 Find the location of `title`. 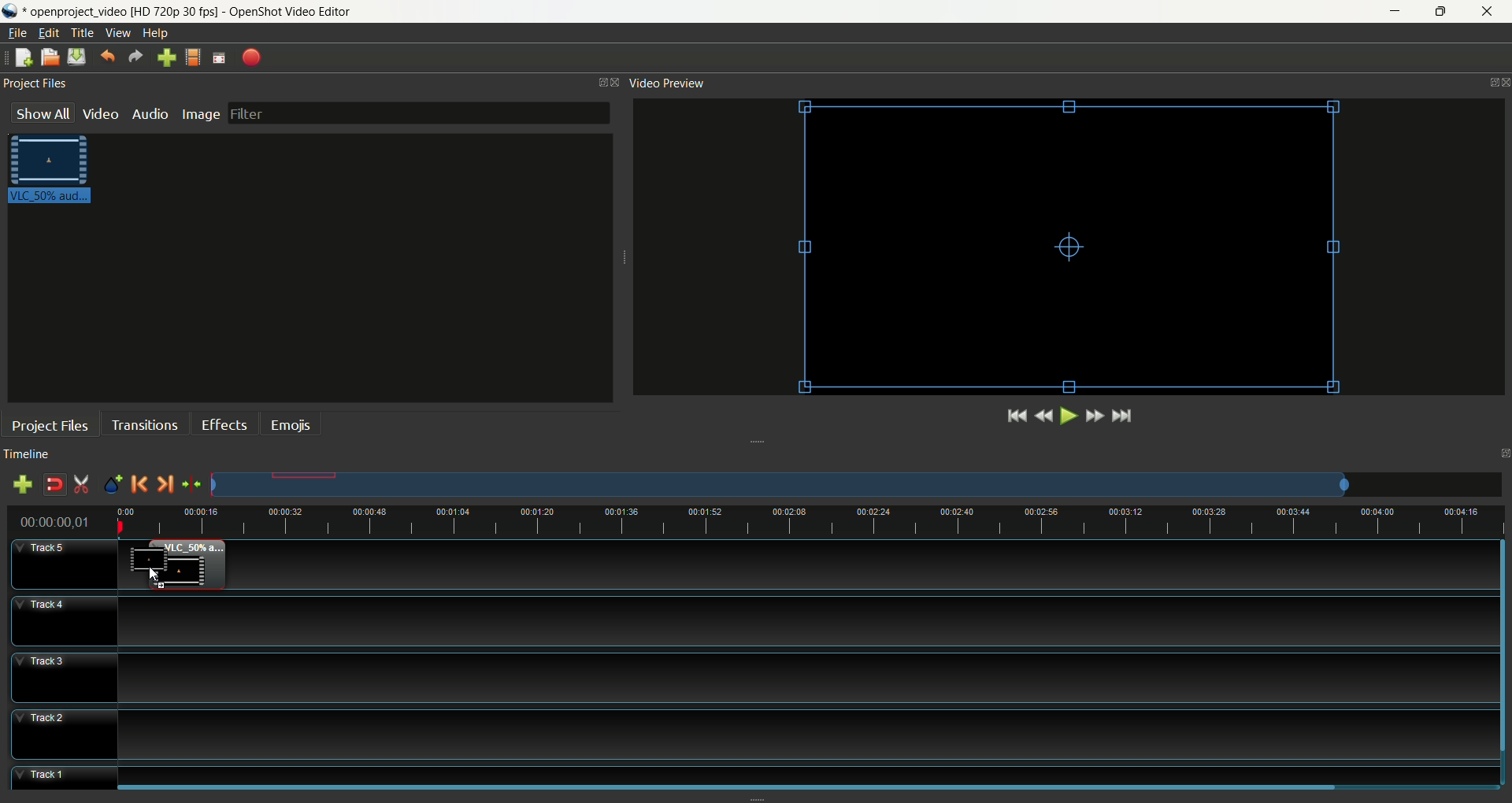

title is located at coordinates (81, 33).